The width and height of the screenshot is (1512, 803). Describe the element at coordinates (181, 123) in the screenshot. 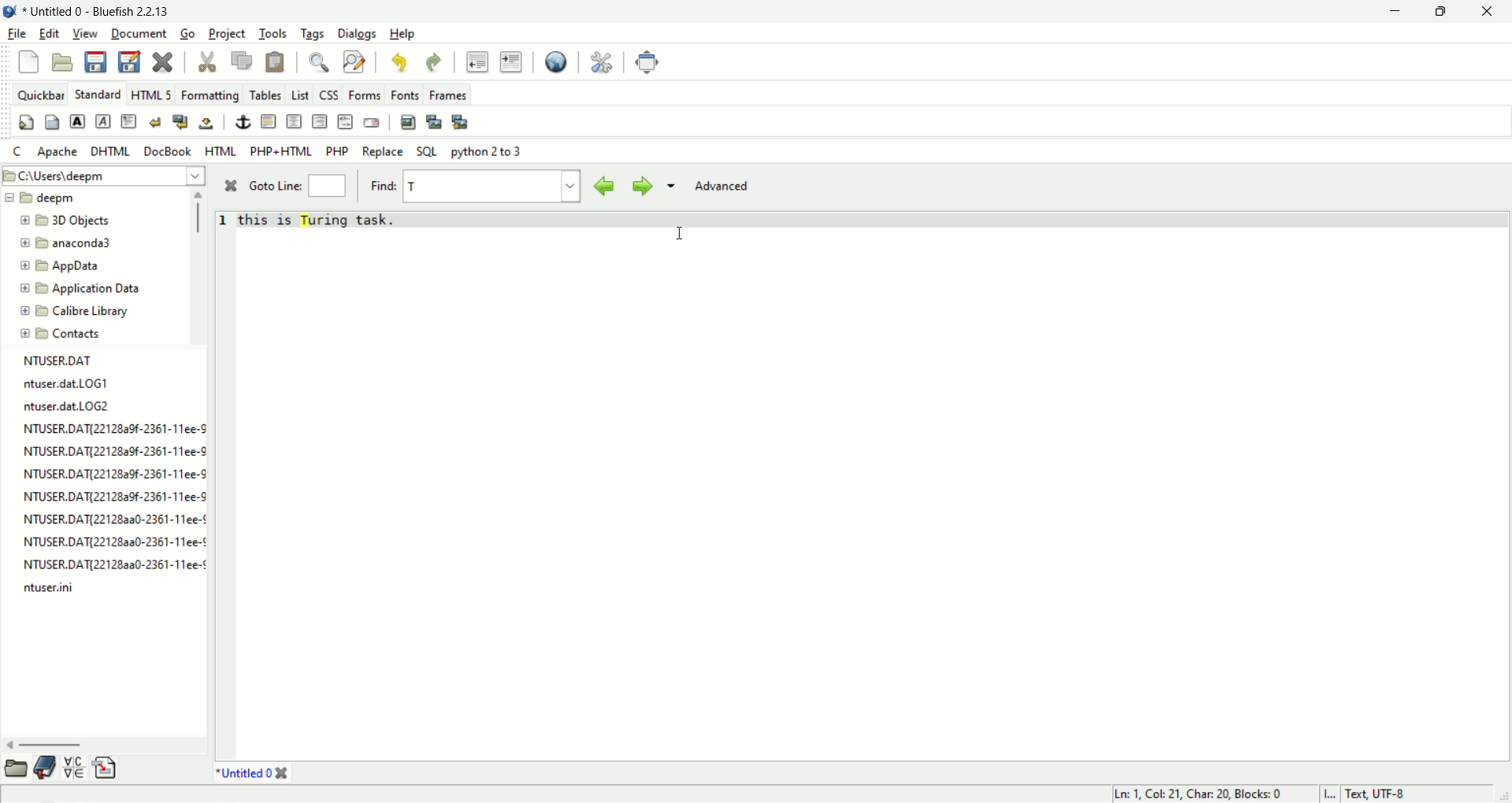

I see `break and clear` at that location.